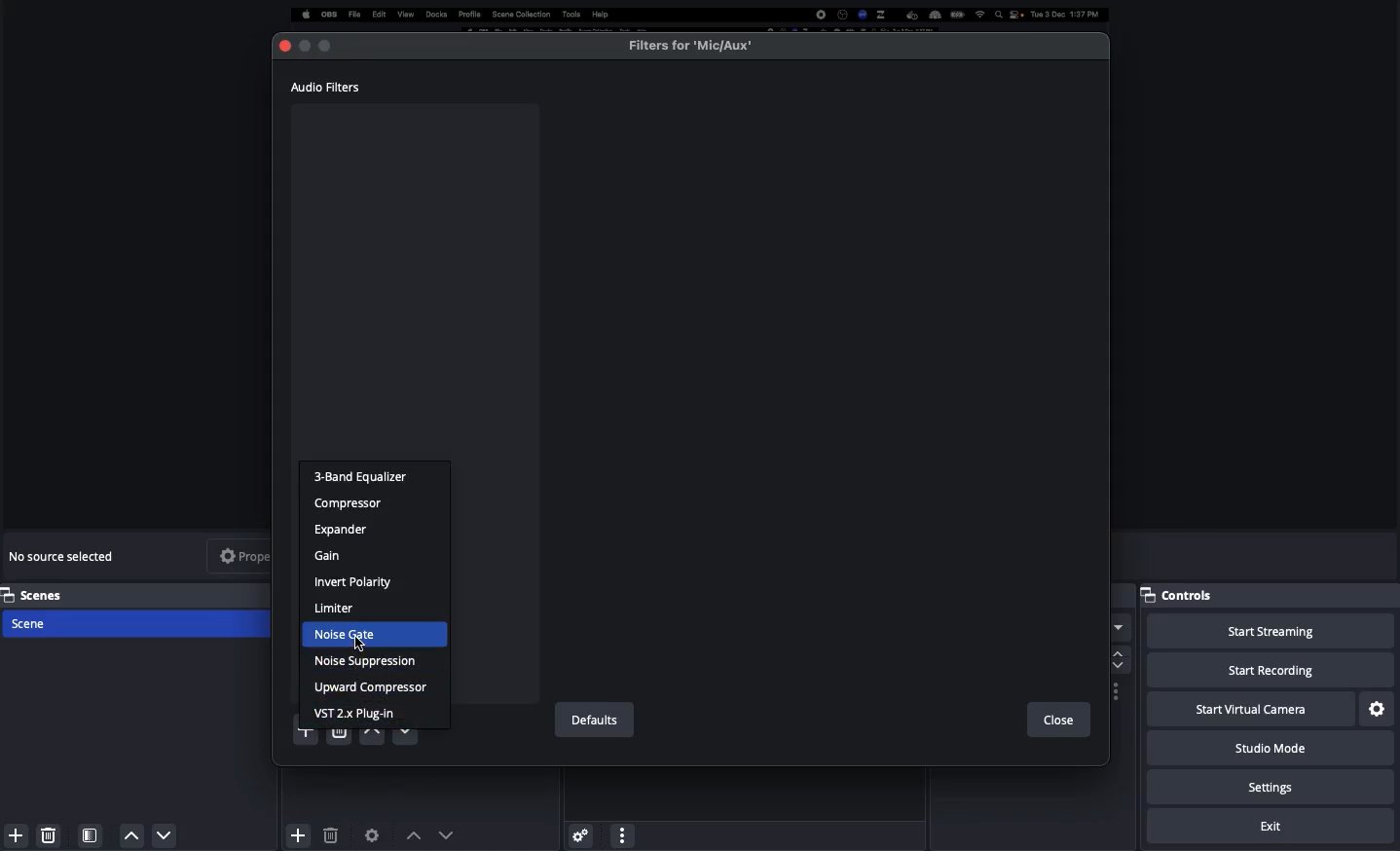 This screenshot has height=851, width=1400. Describe the element at coordinates (330, 835) in the screenshot. I see `Delete` at that location.